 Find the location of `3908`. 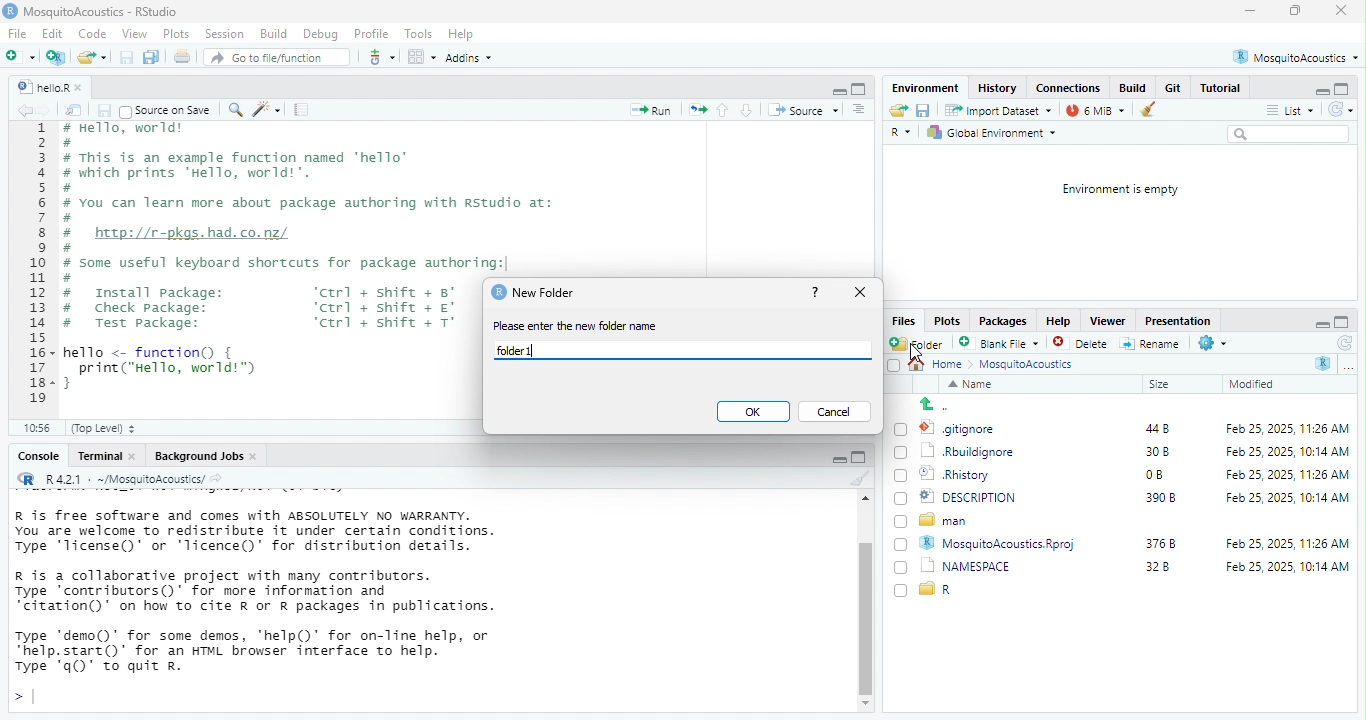

3908 is located at coordinates (1161, 499).